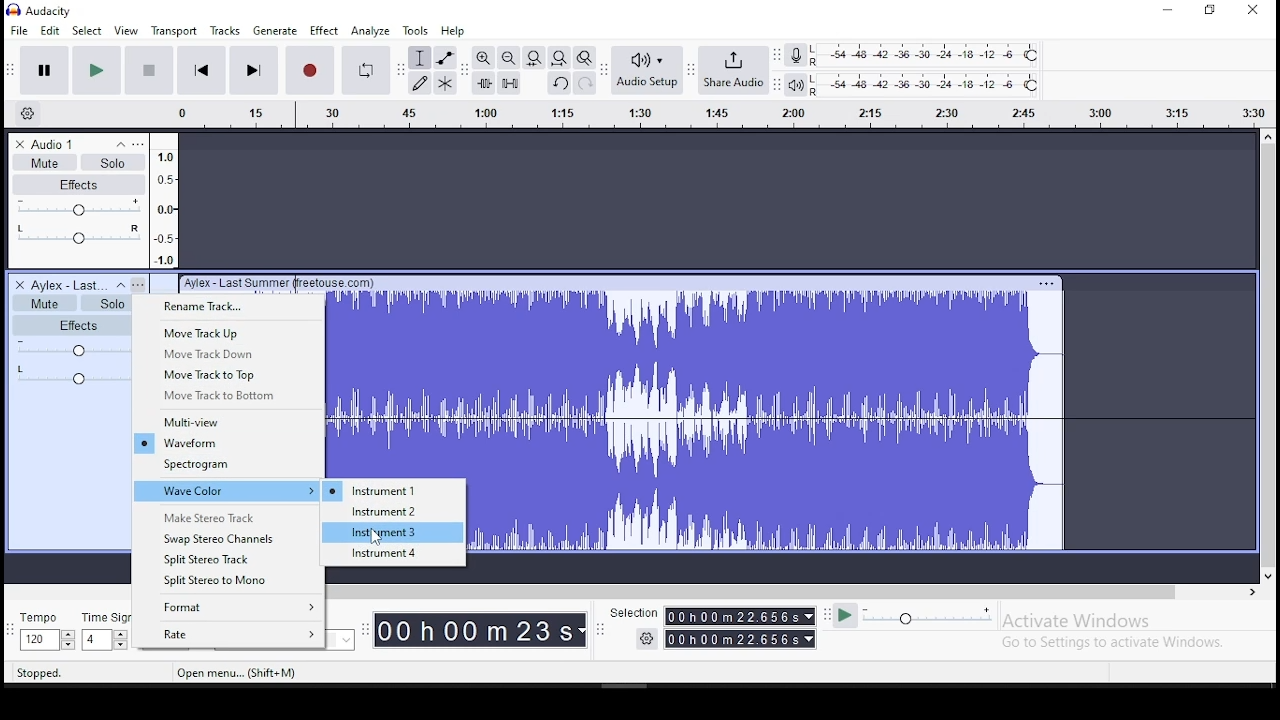 The width and height of the screenshot is (1280, 720). I want to click on split stereo to mono, so click(228, 581).